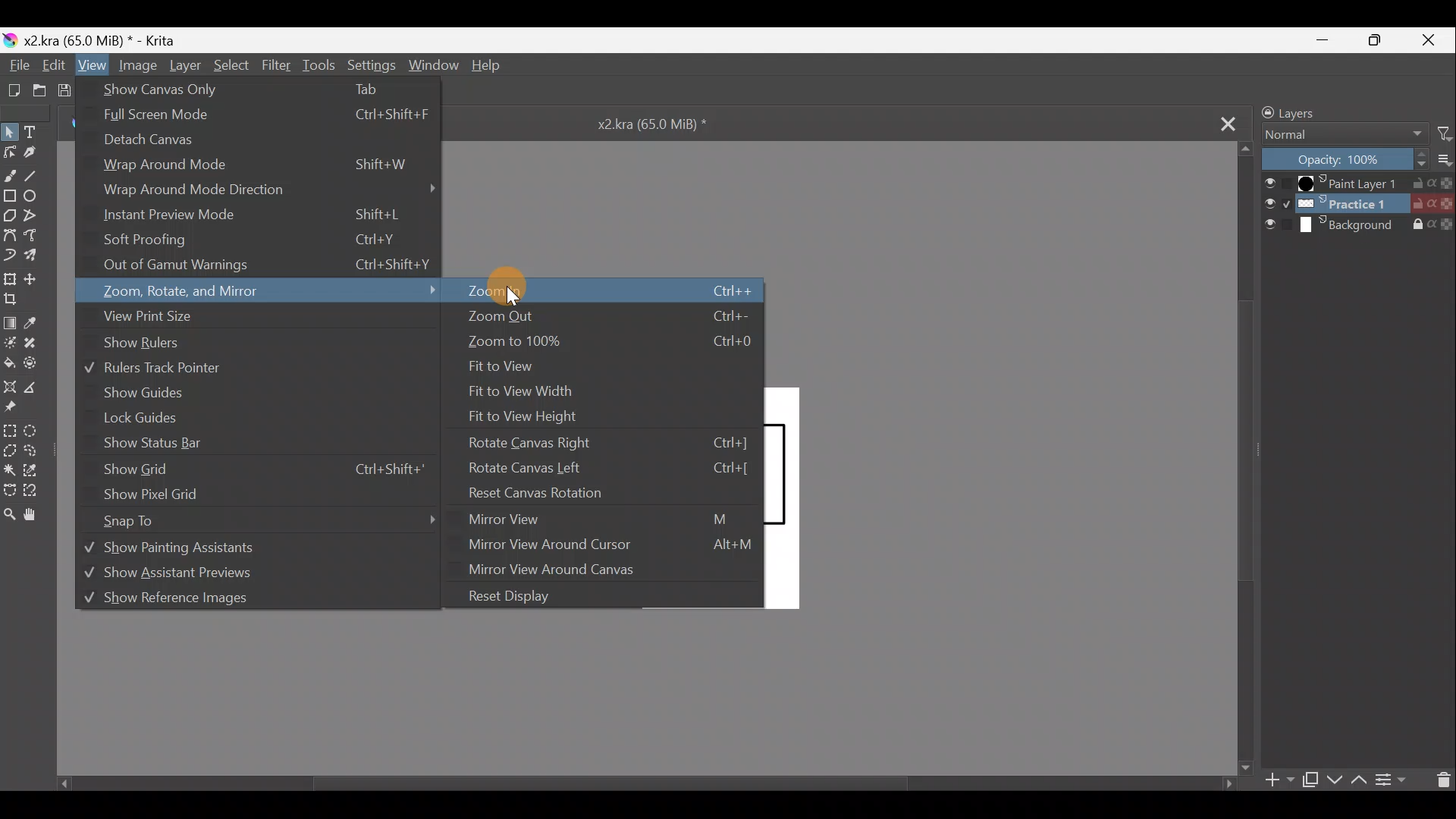  What do you see at coordinates (232, 597) in the screenshot?
I see `Show reference images` at bounding box center [232, 597].